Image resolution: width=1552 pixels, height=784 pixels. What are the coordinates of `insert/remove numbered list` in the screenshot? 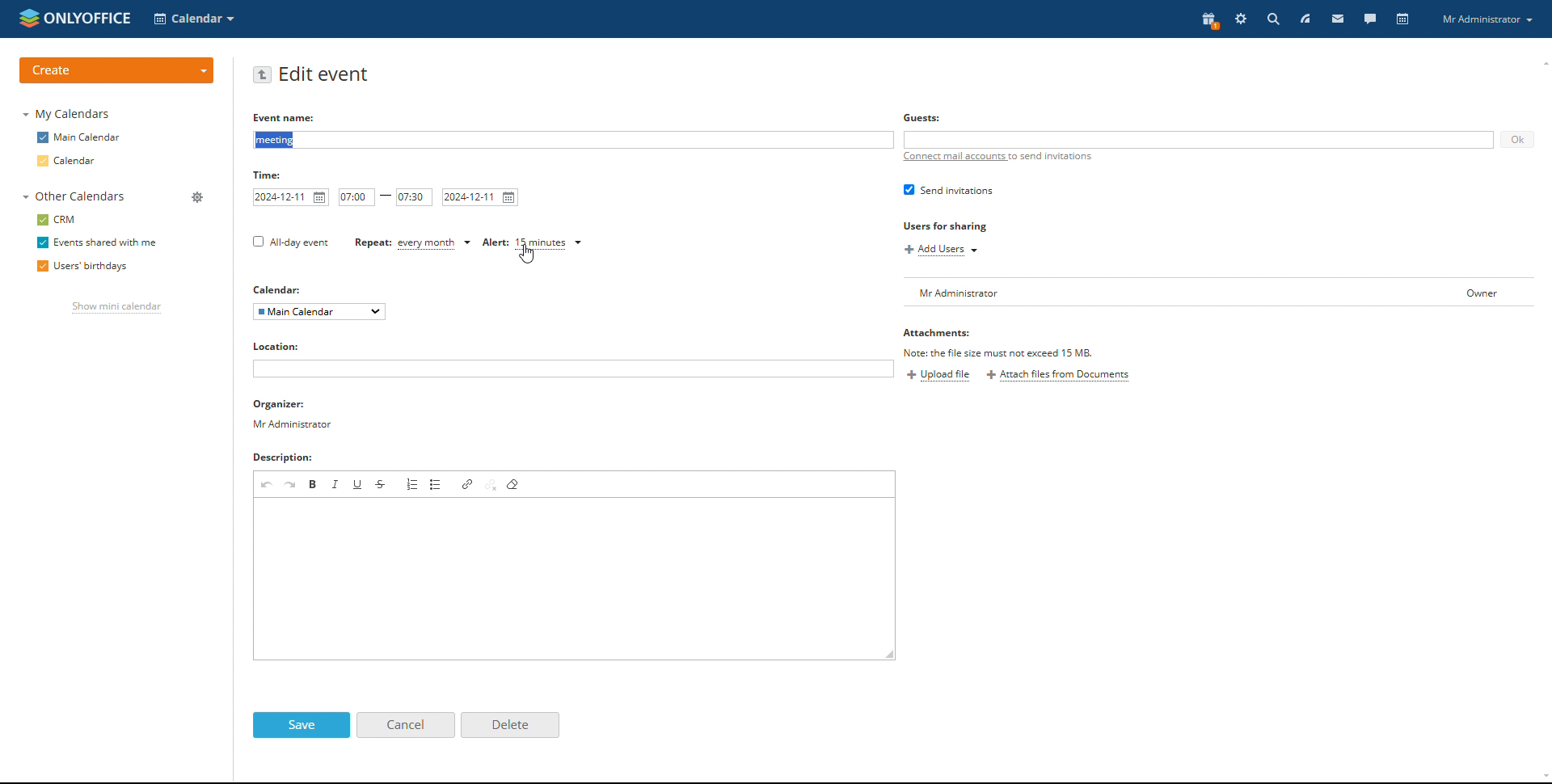 It's located at (411, 484).